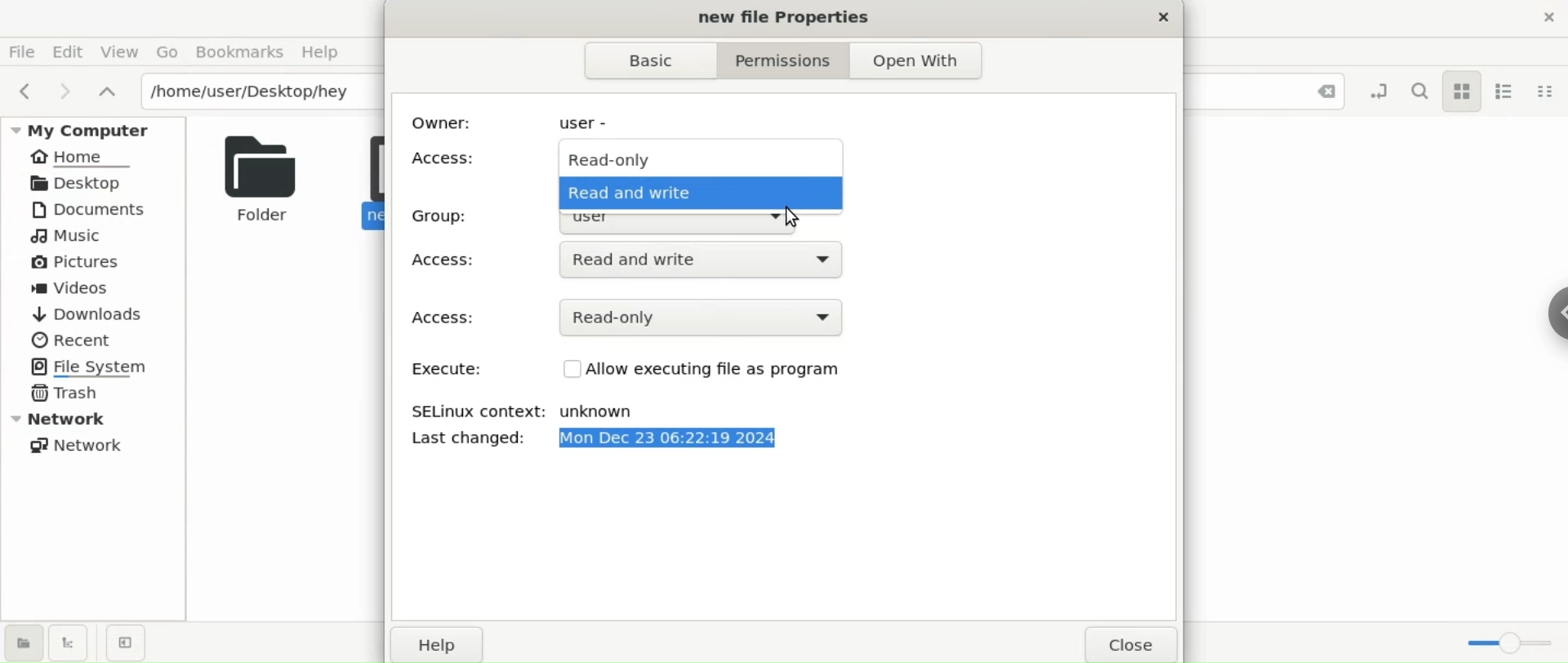 Image resolution: width=1568 pixels, height=663 pixels. I want to click on Access, so click(468, 318).